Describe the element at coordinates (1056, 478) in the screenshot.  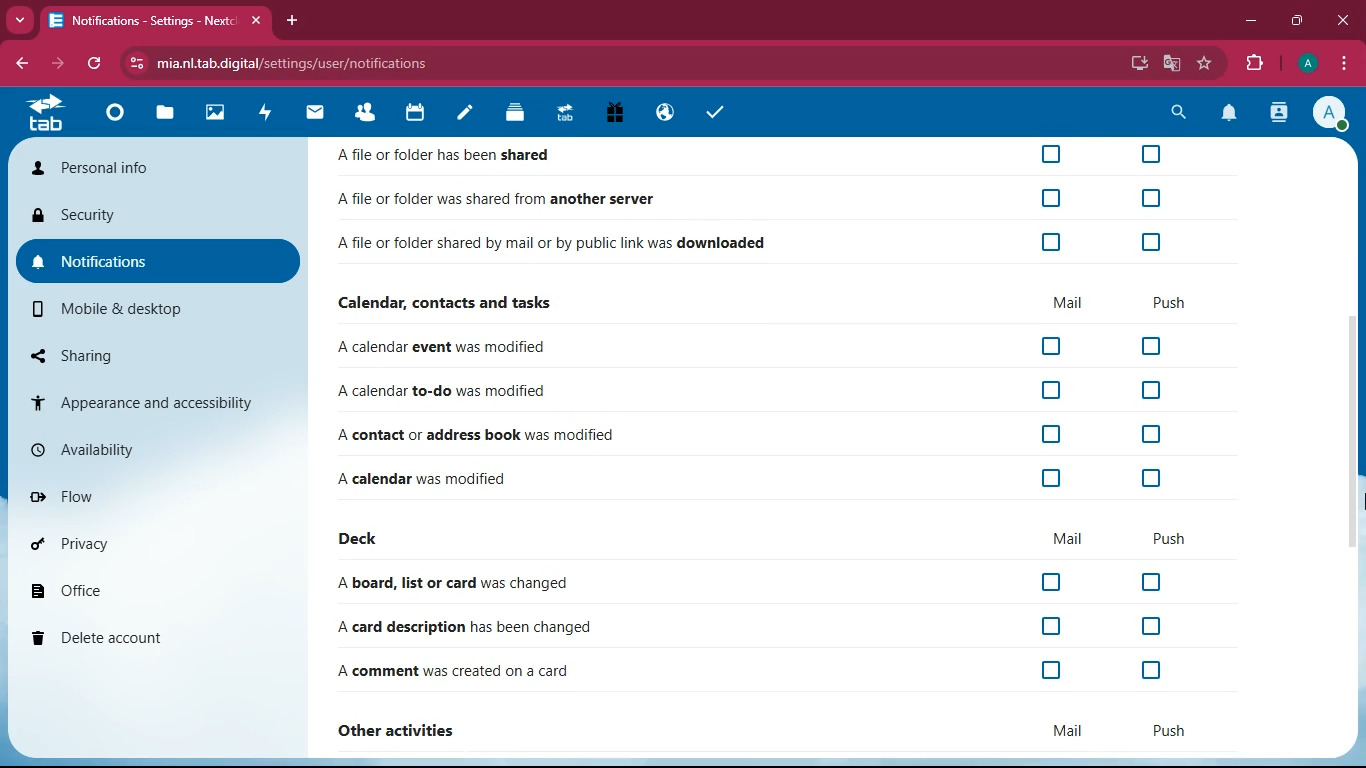
I see `off` at that location.